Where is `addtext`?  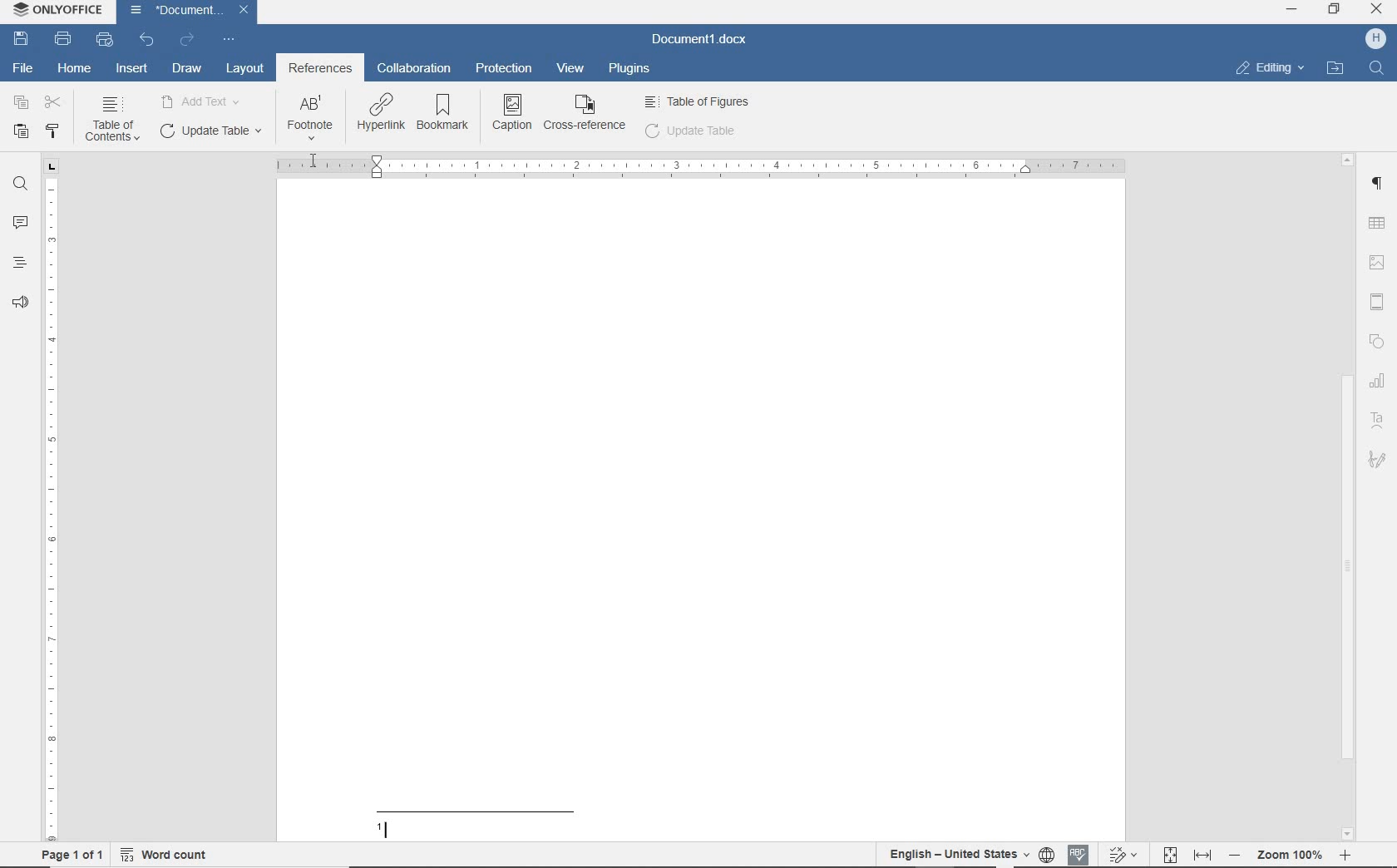 addtext is located at coordinates (202, 101).